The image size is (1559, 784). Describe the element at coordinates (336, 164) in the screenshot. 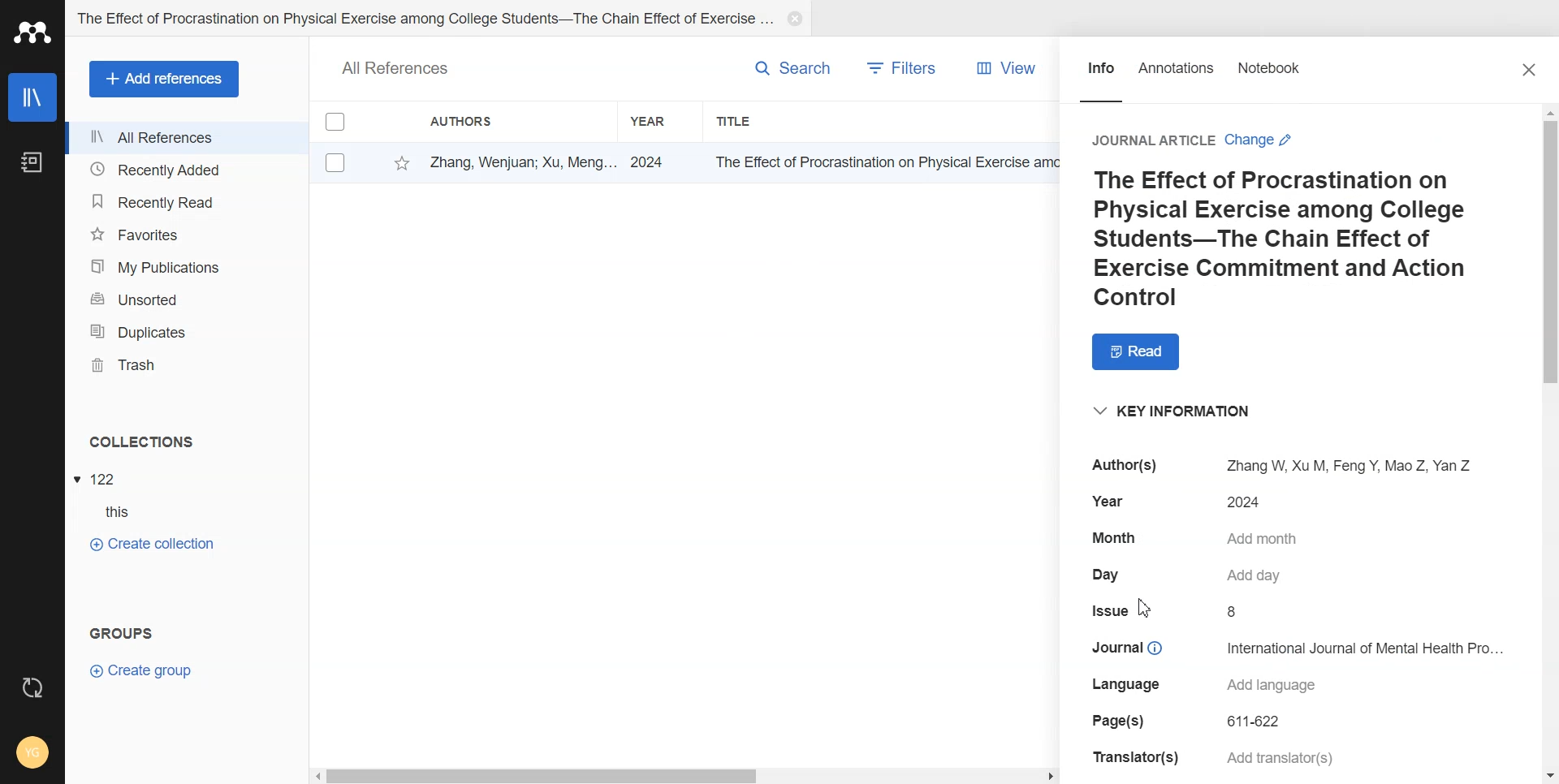

I see `Checkbox` at that location.